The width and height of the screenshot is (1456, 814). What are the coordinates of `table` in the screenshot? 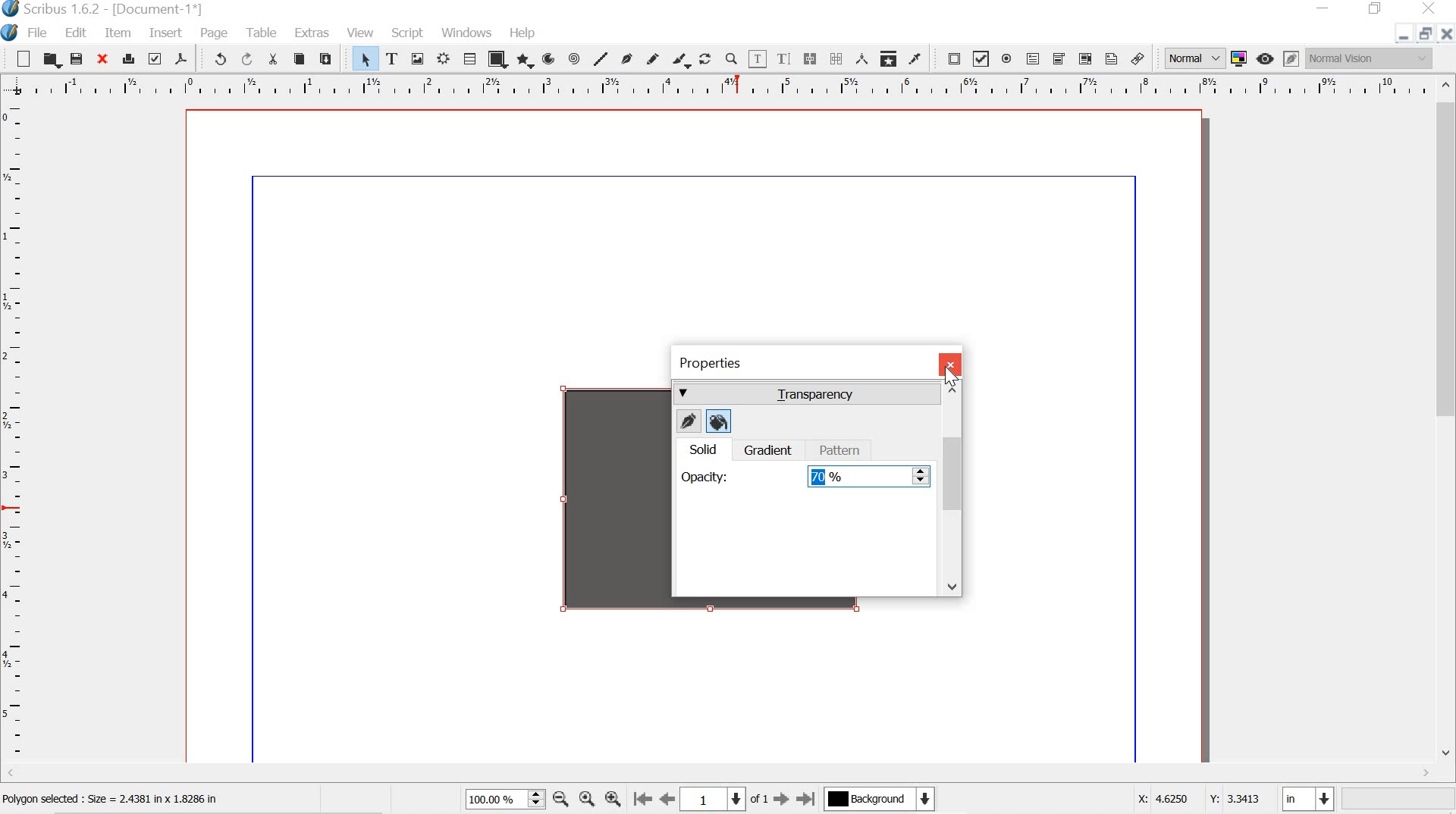 It's located at (469, 58).